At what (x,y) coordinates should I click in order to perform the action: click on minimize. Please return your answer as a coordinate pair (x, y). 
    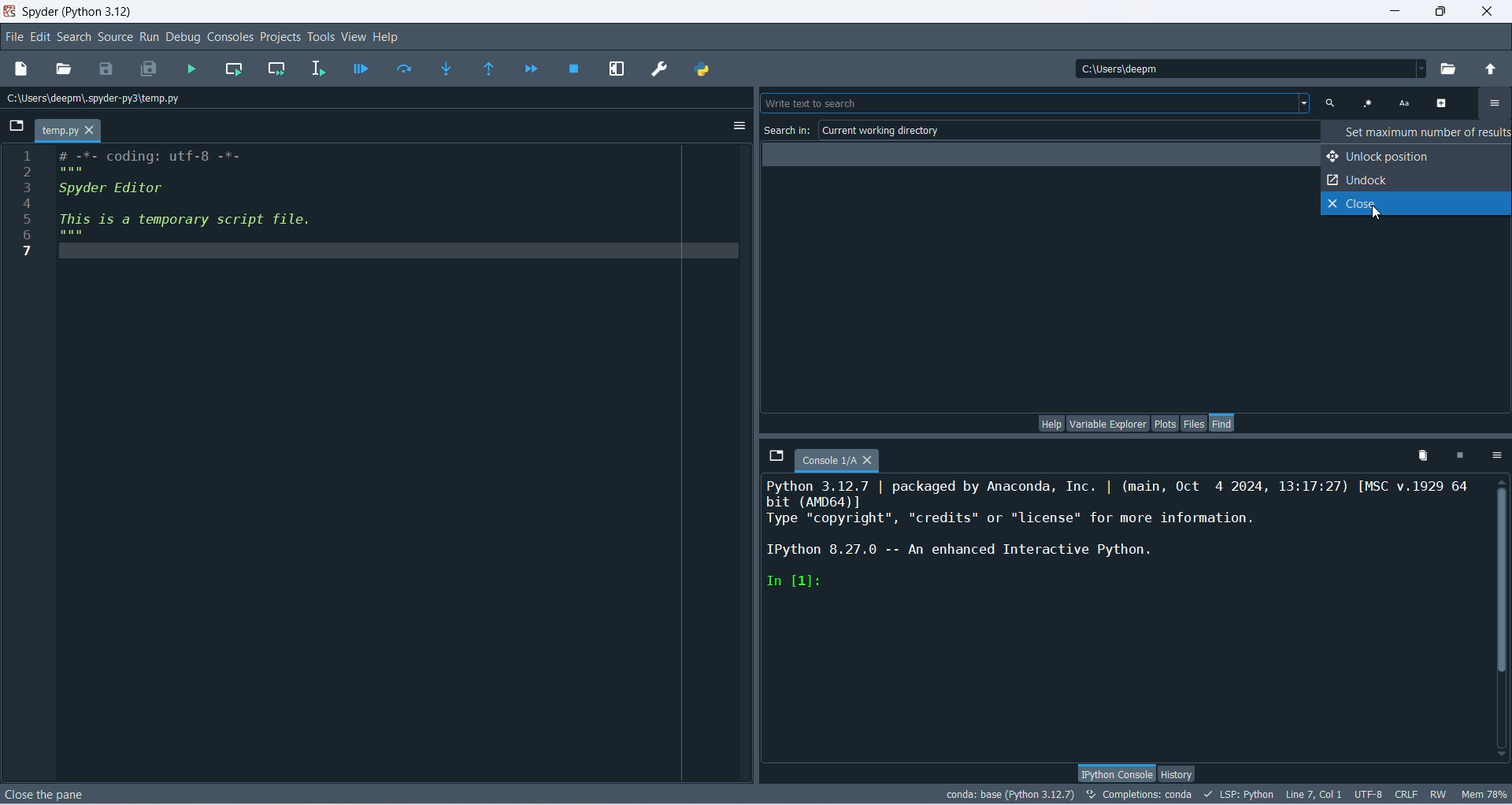
    Looking at the image, I should click on (1391, 9).